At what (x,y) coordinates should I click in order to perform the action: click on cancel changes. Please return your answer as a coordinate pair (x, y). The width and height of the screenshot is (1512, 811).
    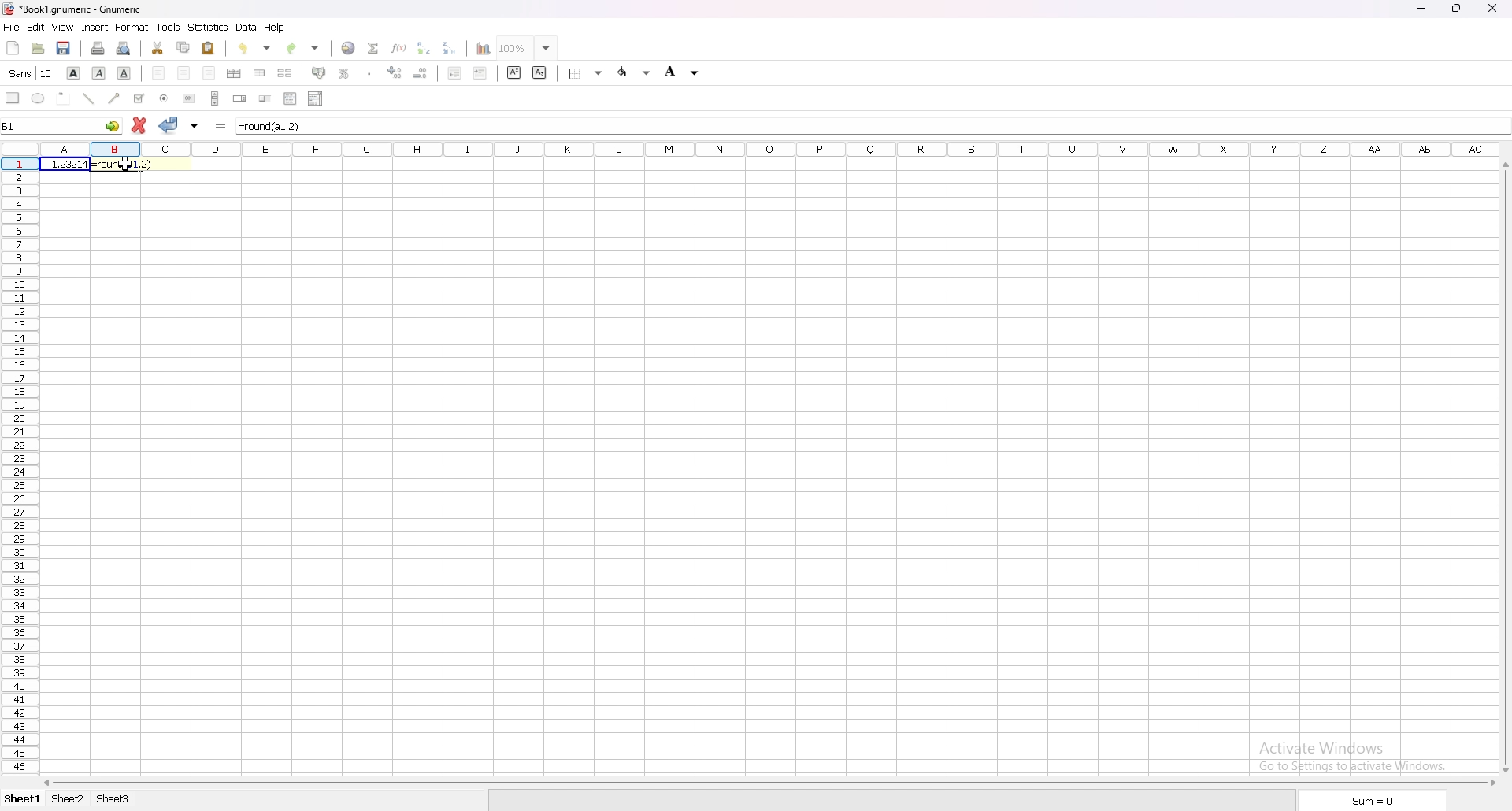
    Looking at the image, I should click on (141, 122).